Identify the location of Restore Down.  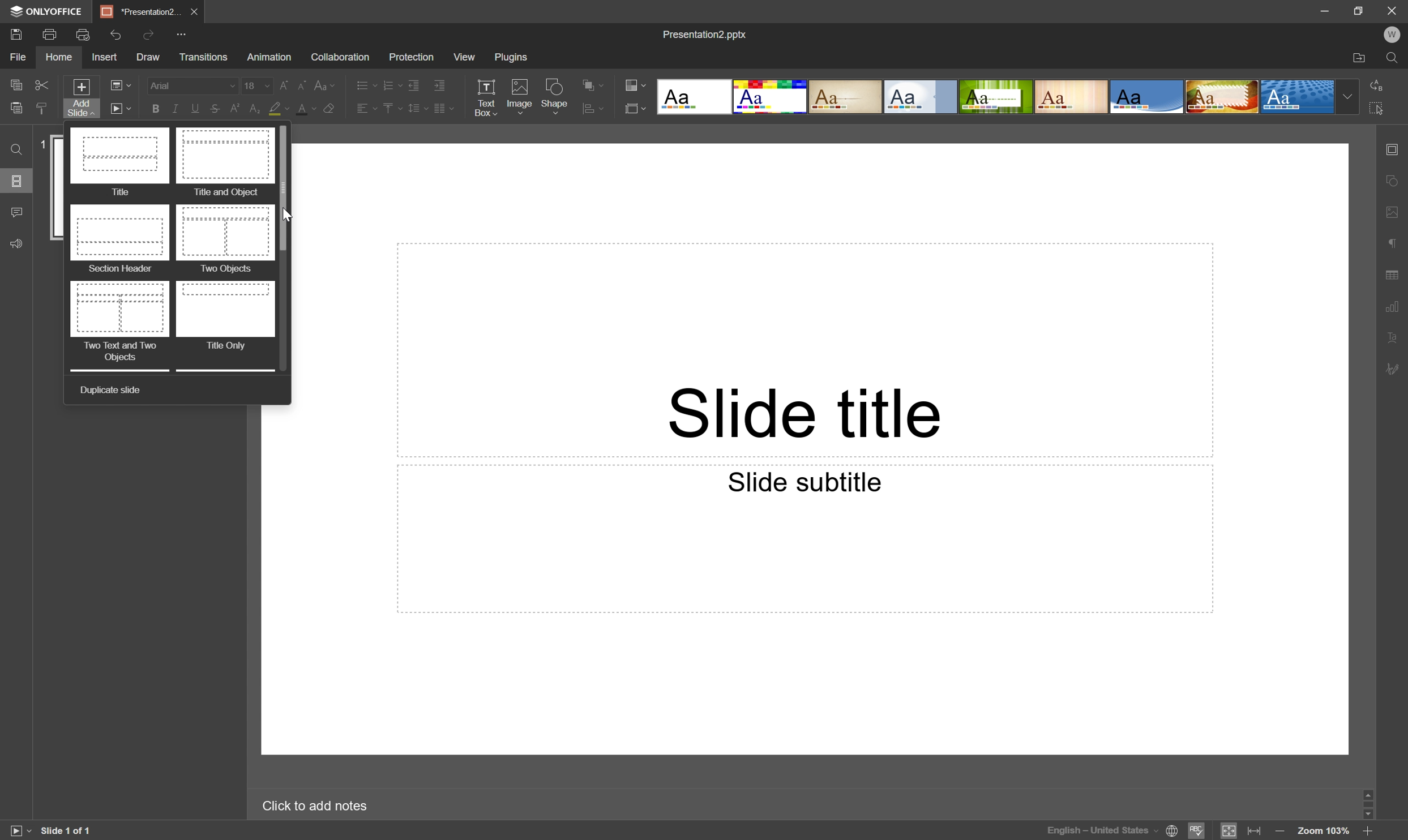
(1359, 11).